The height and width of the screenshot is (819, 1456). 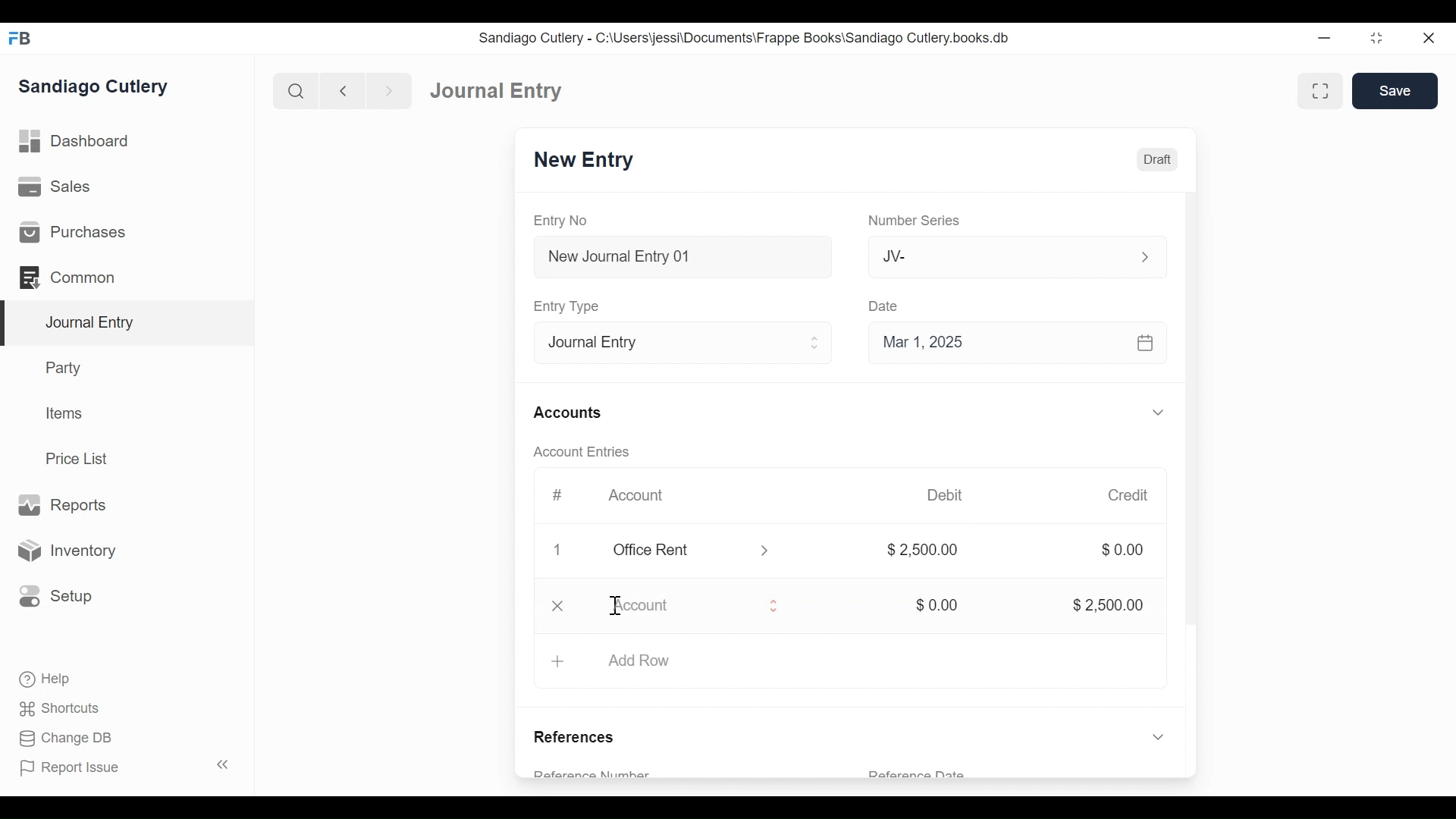 What do you see at coordinates (1155, 159) in the screenshot?
I see `Draft` at bounding box center [1155, 159].